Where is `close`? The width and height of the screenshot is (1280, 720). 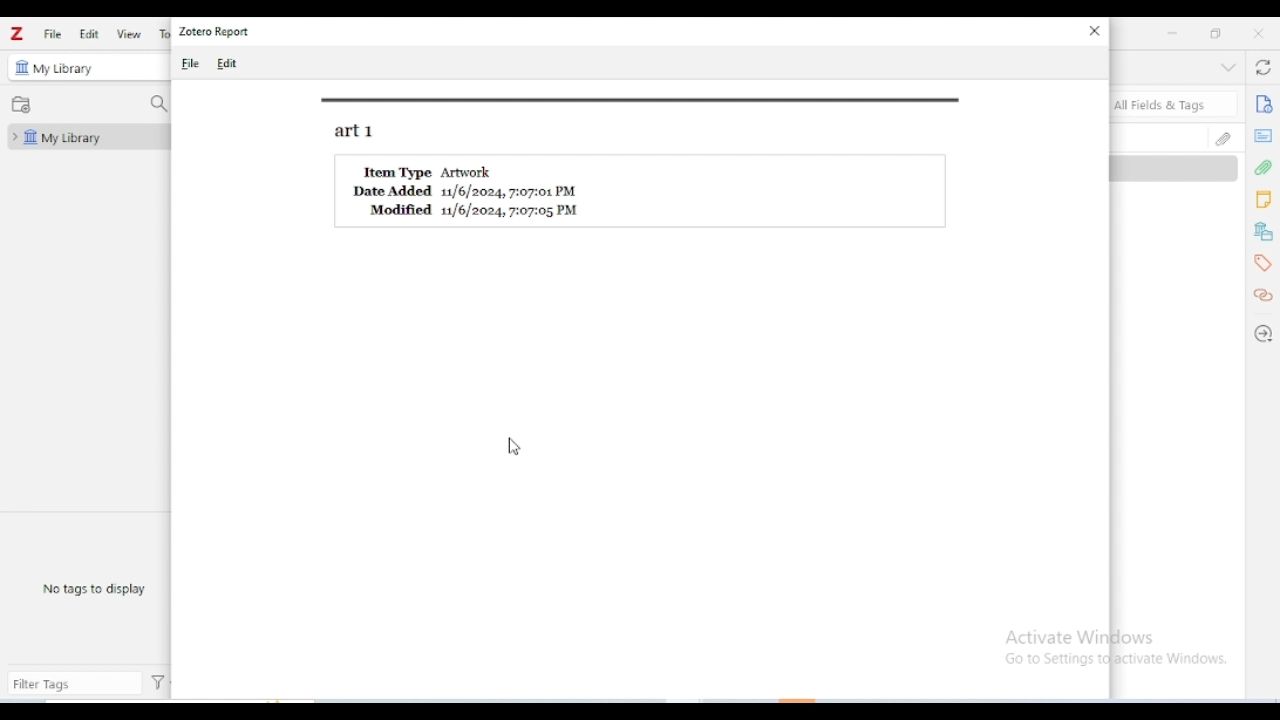 close is located at coordinates (1258, 33).